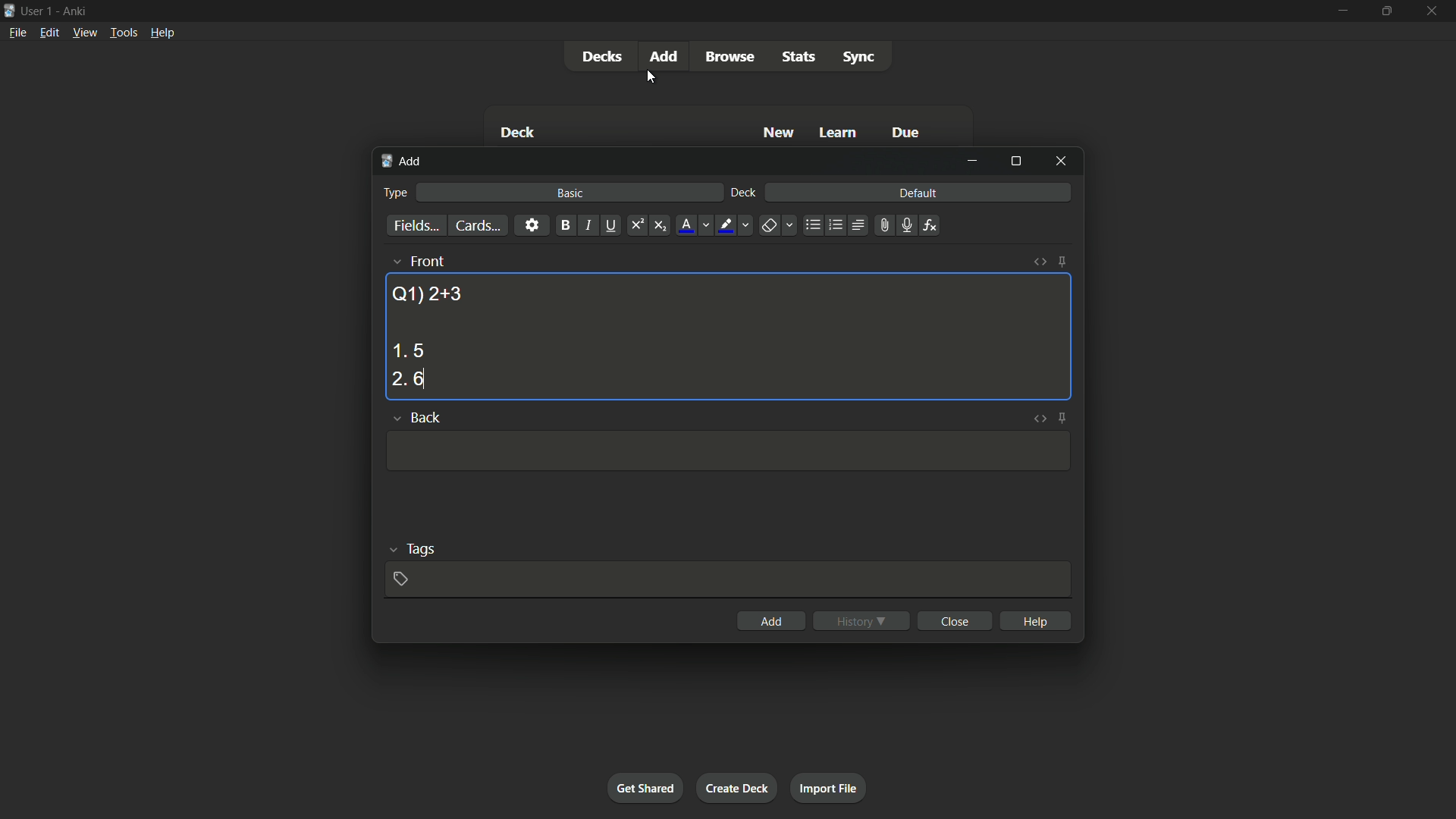 The width and height of the screenshot is (1456, 819). What do you see at coordinates (857, 226) in the screenshot?
I see `alignment` at bounding box center [857, 226].